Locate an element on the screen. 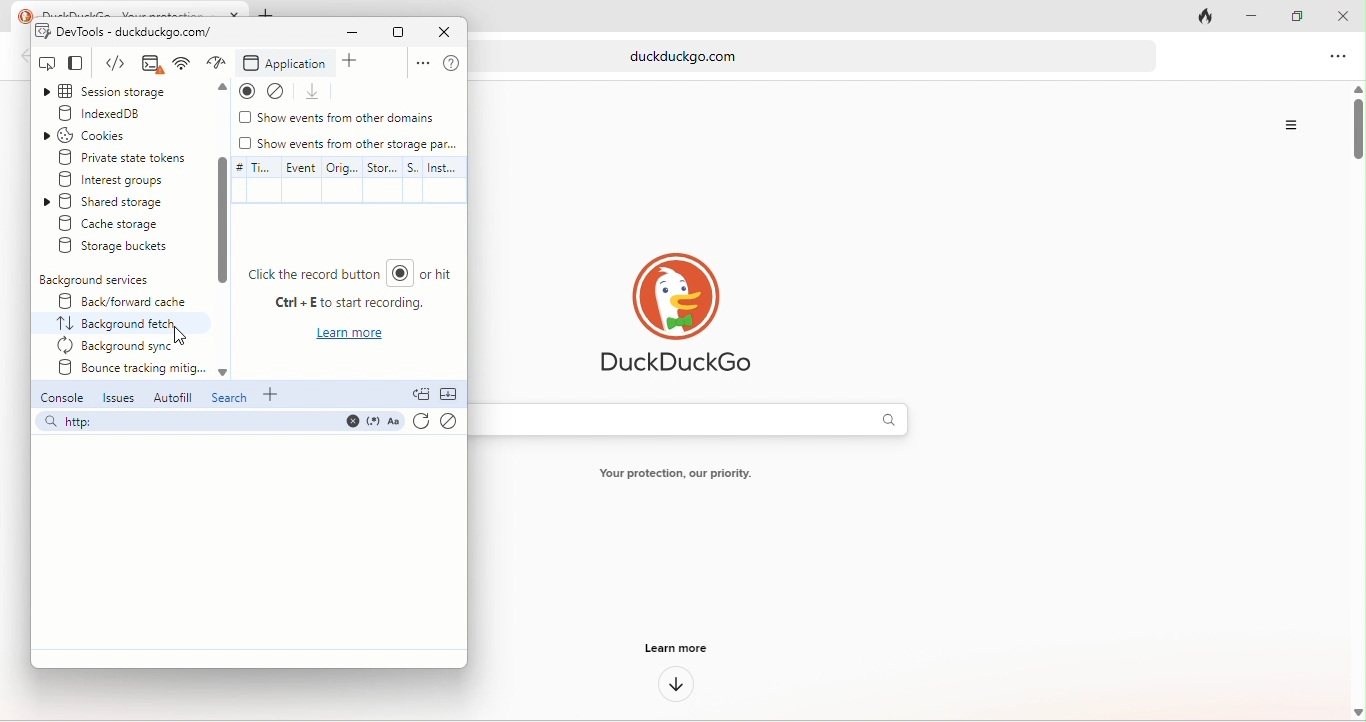 The height and width of the screenshot is (722, 1366). scroll down is located at coordinates (221, 221).